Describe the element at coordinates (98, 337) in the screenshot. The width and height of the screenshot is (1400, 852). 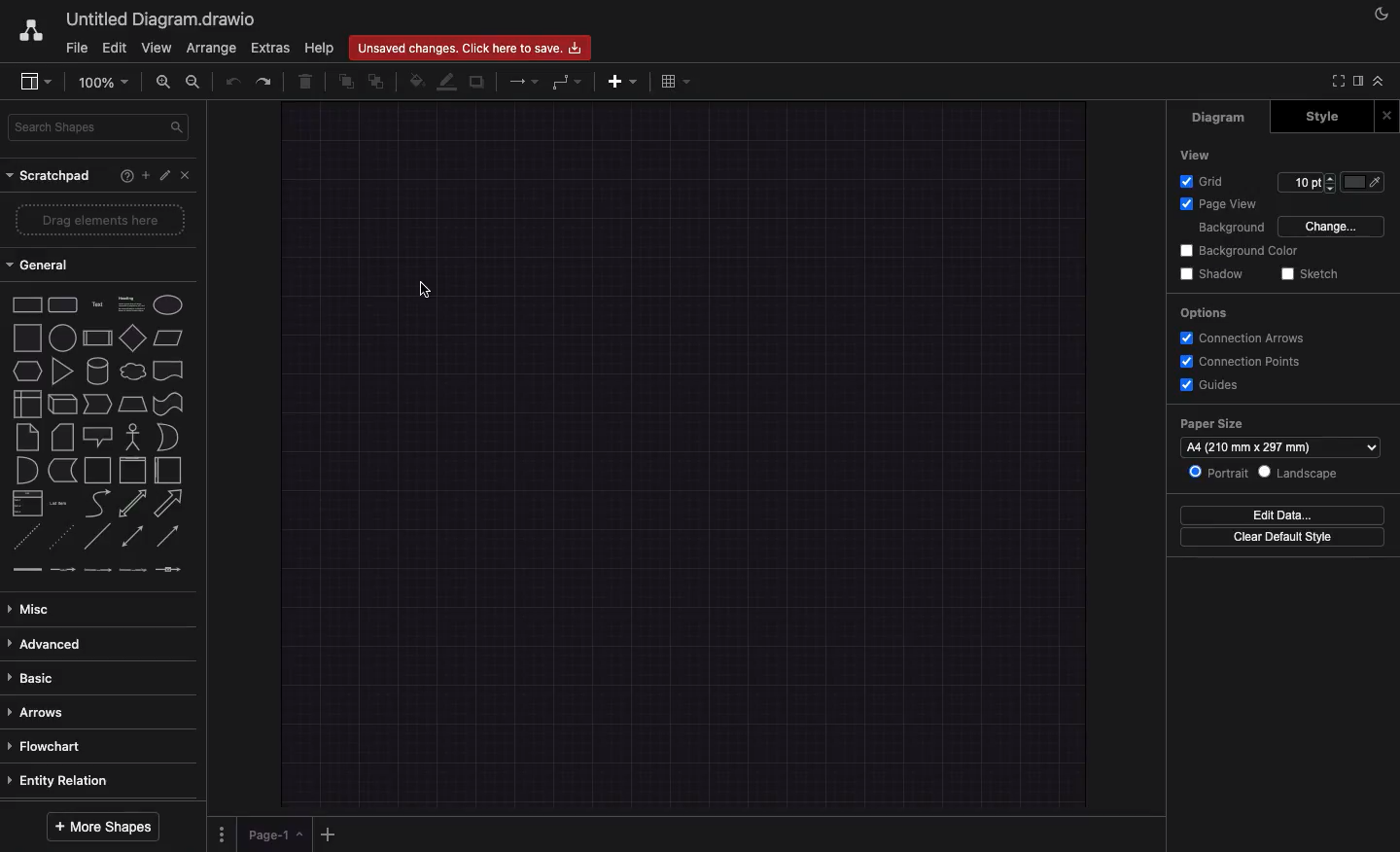
I see `diamond` at that location.